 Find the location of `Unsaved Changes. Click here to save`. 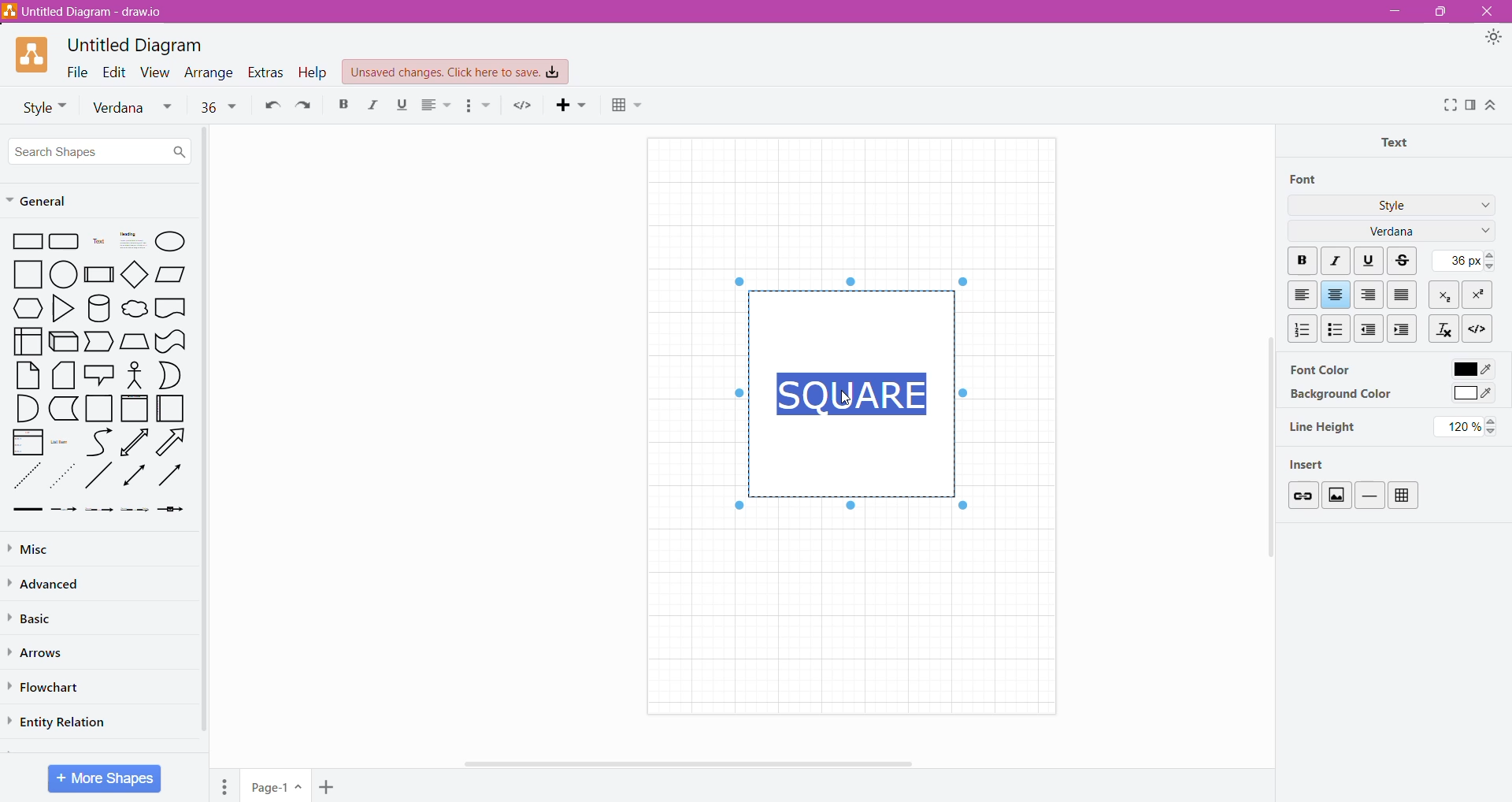

Unsaved Changes. Click here to save is located at coordinates (456, 72).